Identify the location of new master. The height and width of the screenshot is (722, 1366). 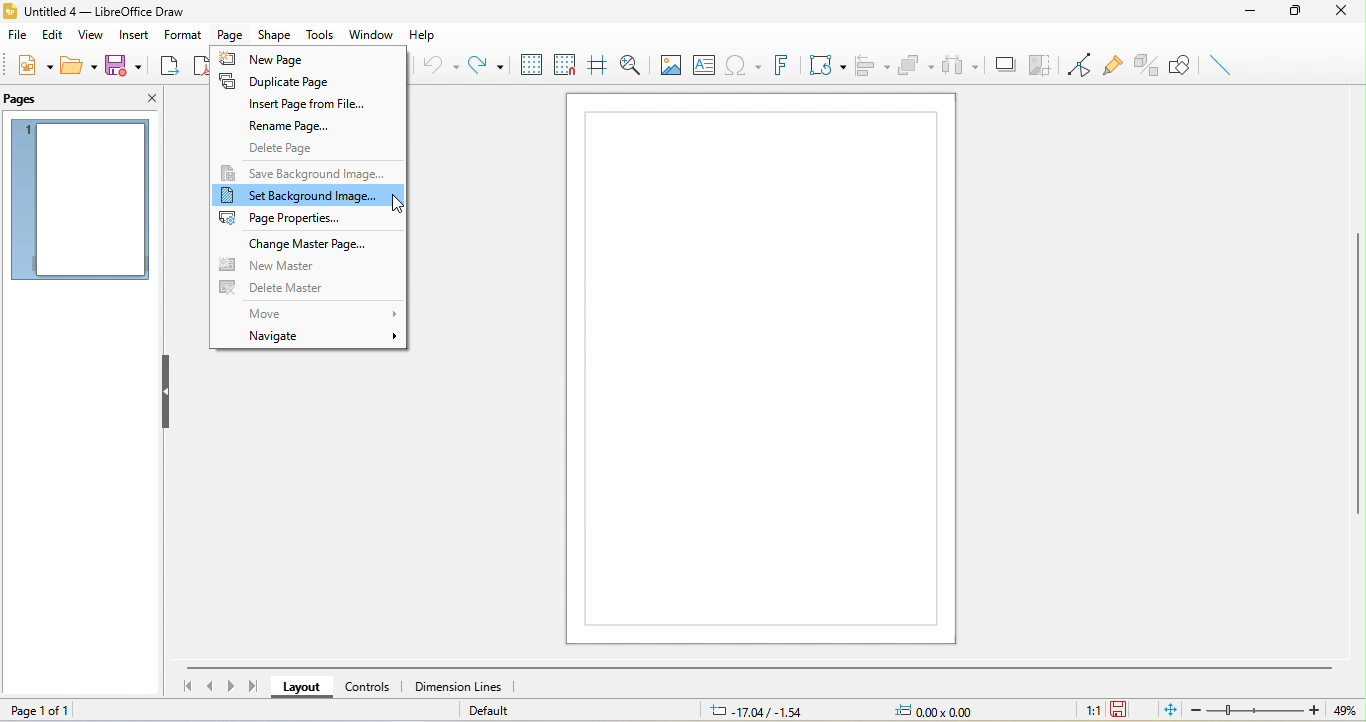
(282, 266).